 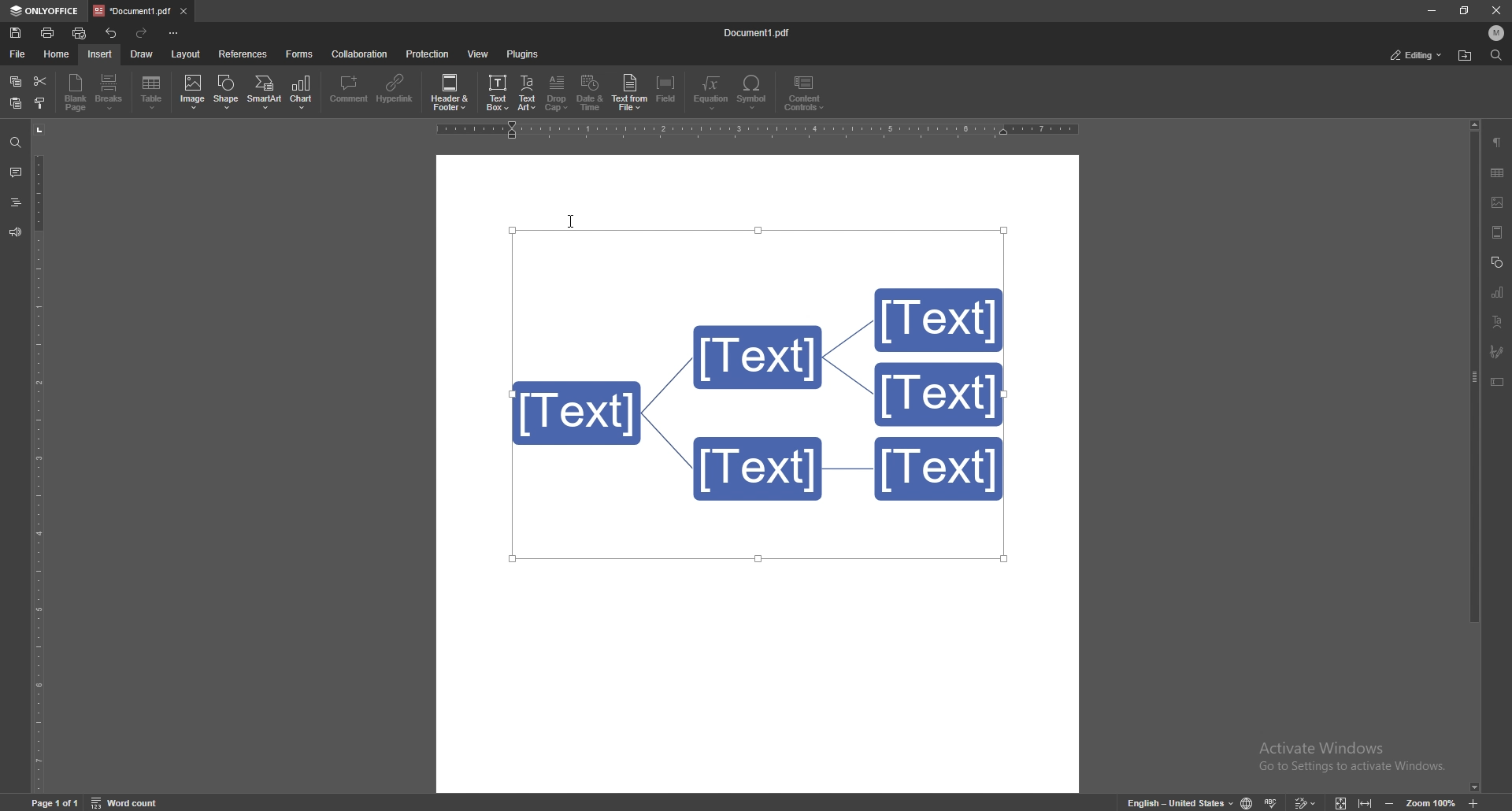 What do you see at coordinates (1498, 320) in the screenshot?
I see `text art` at bounding box center [1498, 320].